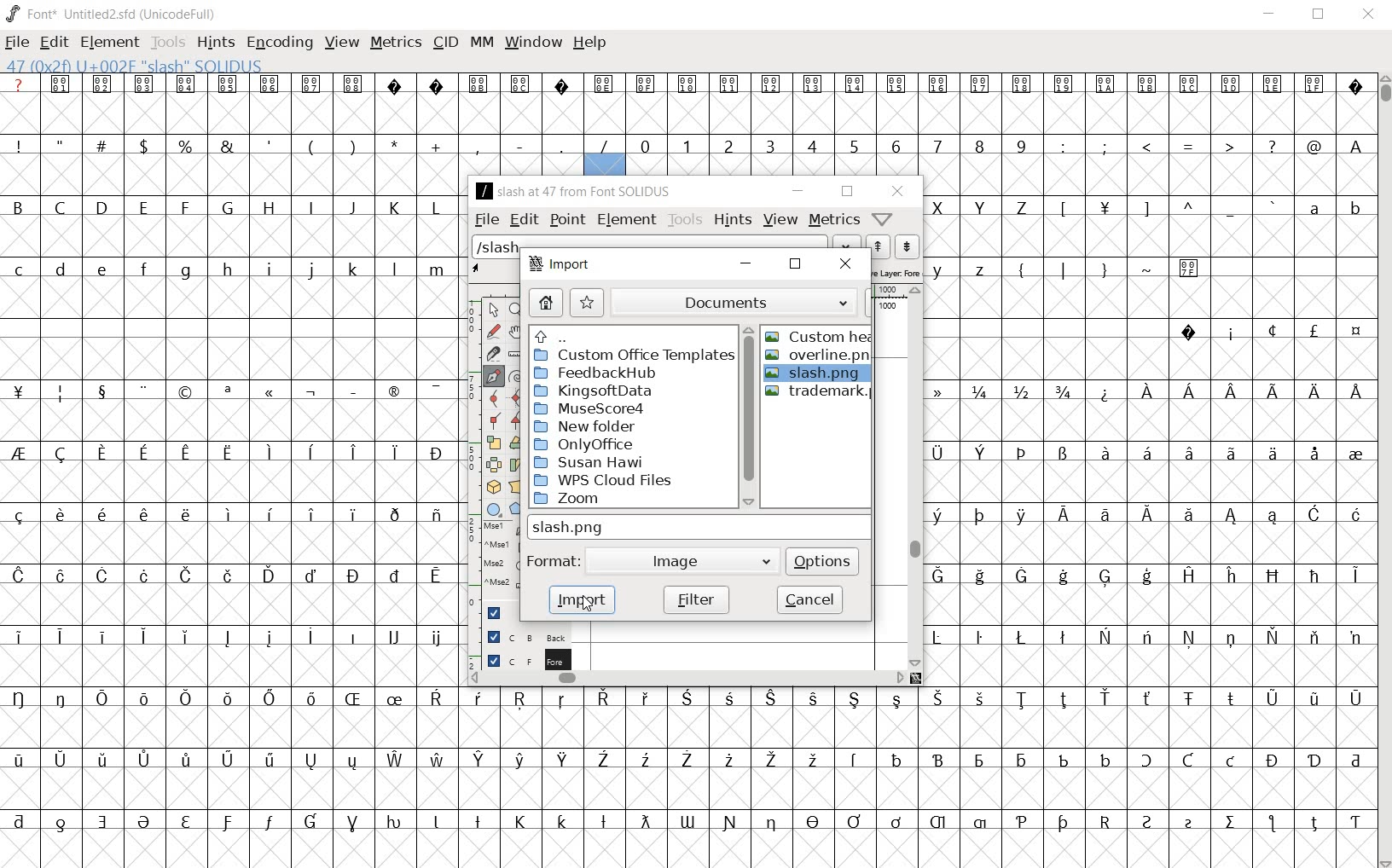 The height and width of the screenshot is (868, 1392). What do you see at coordinates (1250, 391) in the screenshot?
I see `Special letters` at bounding box center [1250, 391].